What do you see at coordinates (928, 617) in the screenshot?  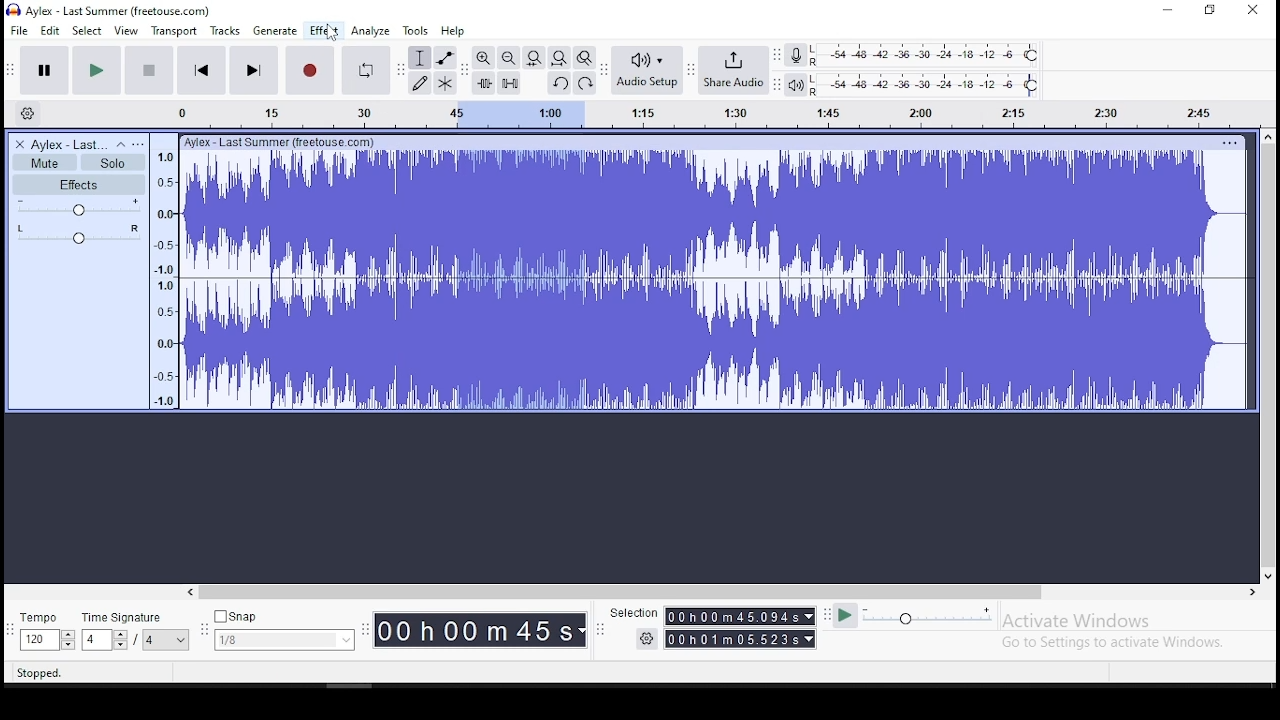 I see `playback speed` at bounding box center [928, 617].